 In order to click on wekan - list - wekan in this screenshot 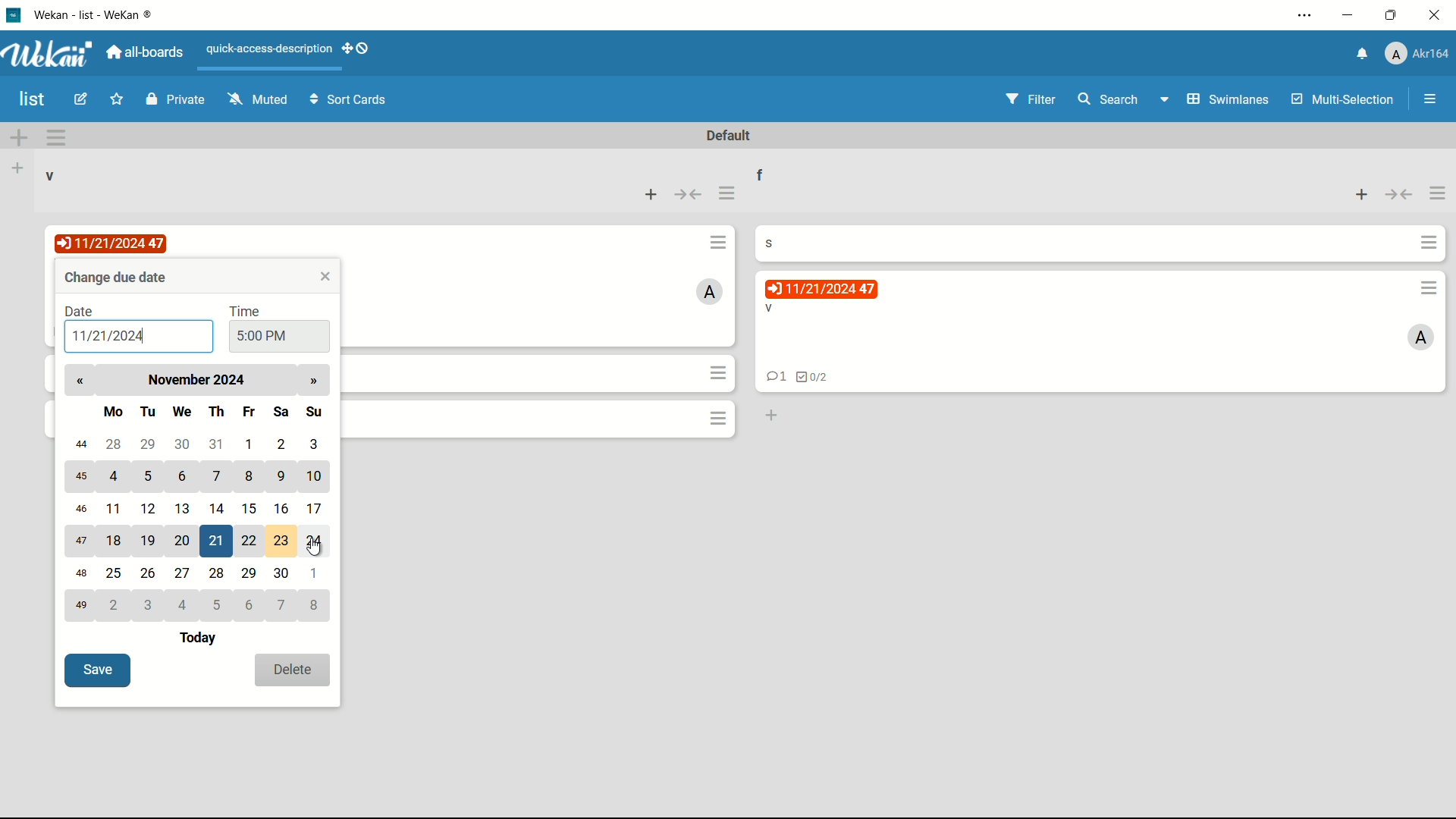, I will do `click(99, 13)`.